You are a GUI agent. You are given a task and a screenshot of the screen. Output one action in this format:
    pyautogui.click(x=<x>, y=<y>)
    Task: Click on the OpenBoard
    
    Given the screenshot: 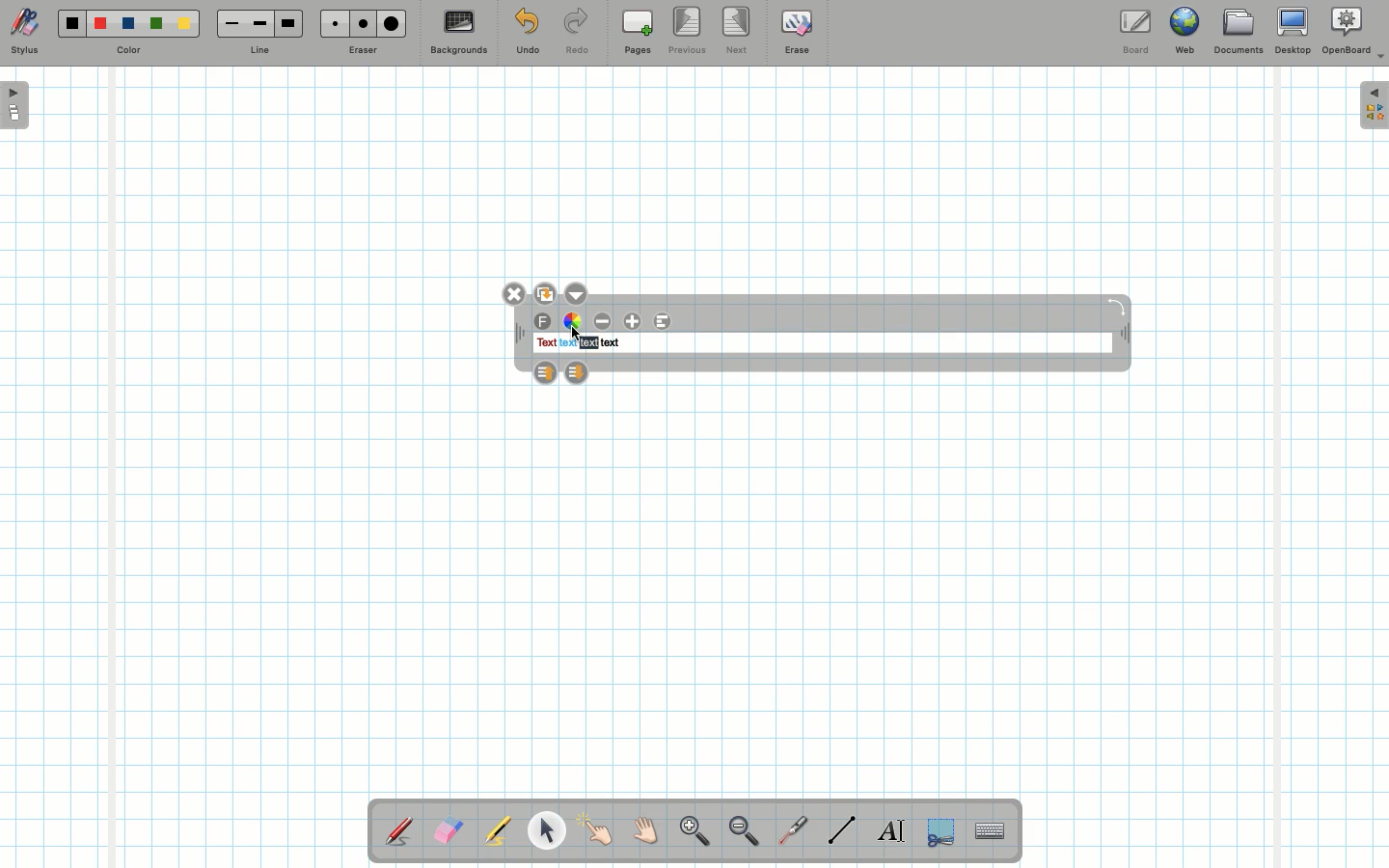 What is the action you would take?
    pyautogui.click(x=1353, y=31)
    